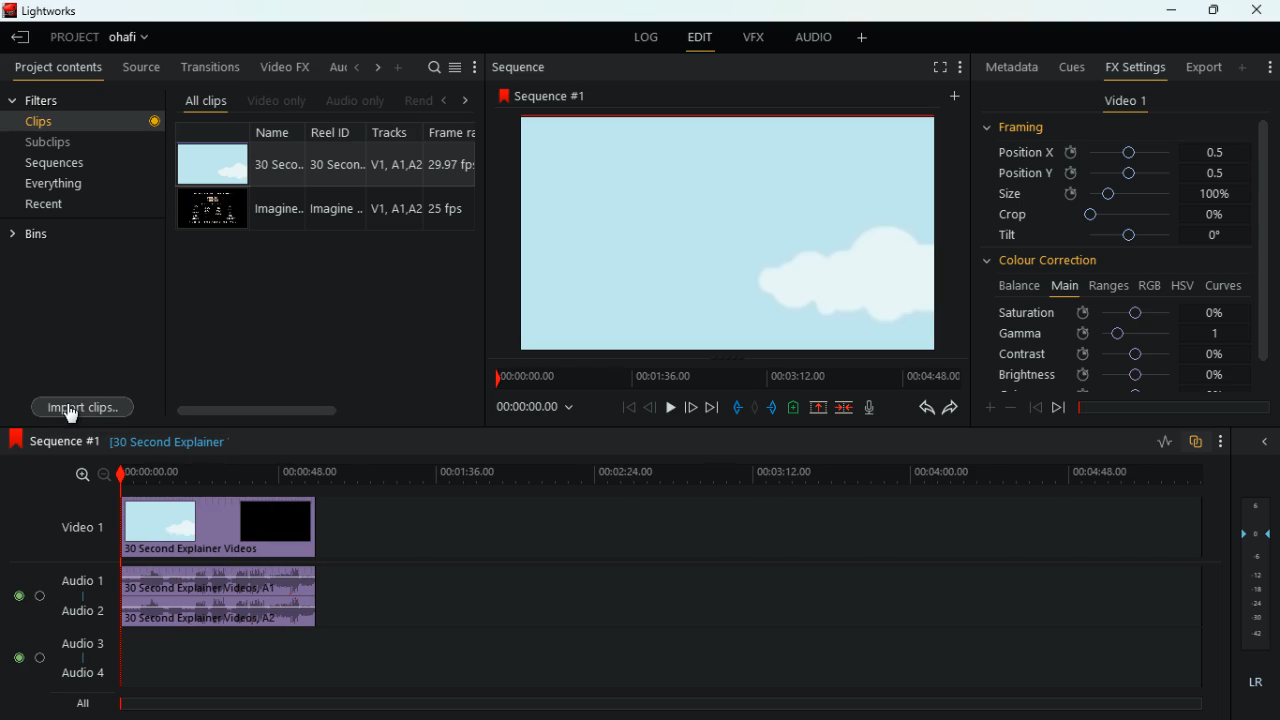 Image resolution: width=1280 pixels, height=720 pixels. I want to click on minimize, so click(1171, 12).